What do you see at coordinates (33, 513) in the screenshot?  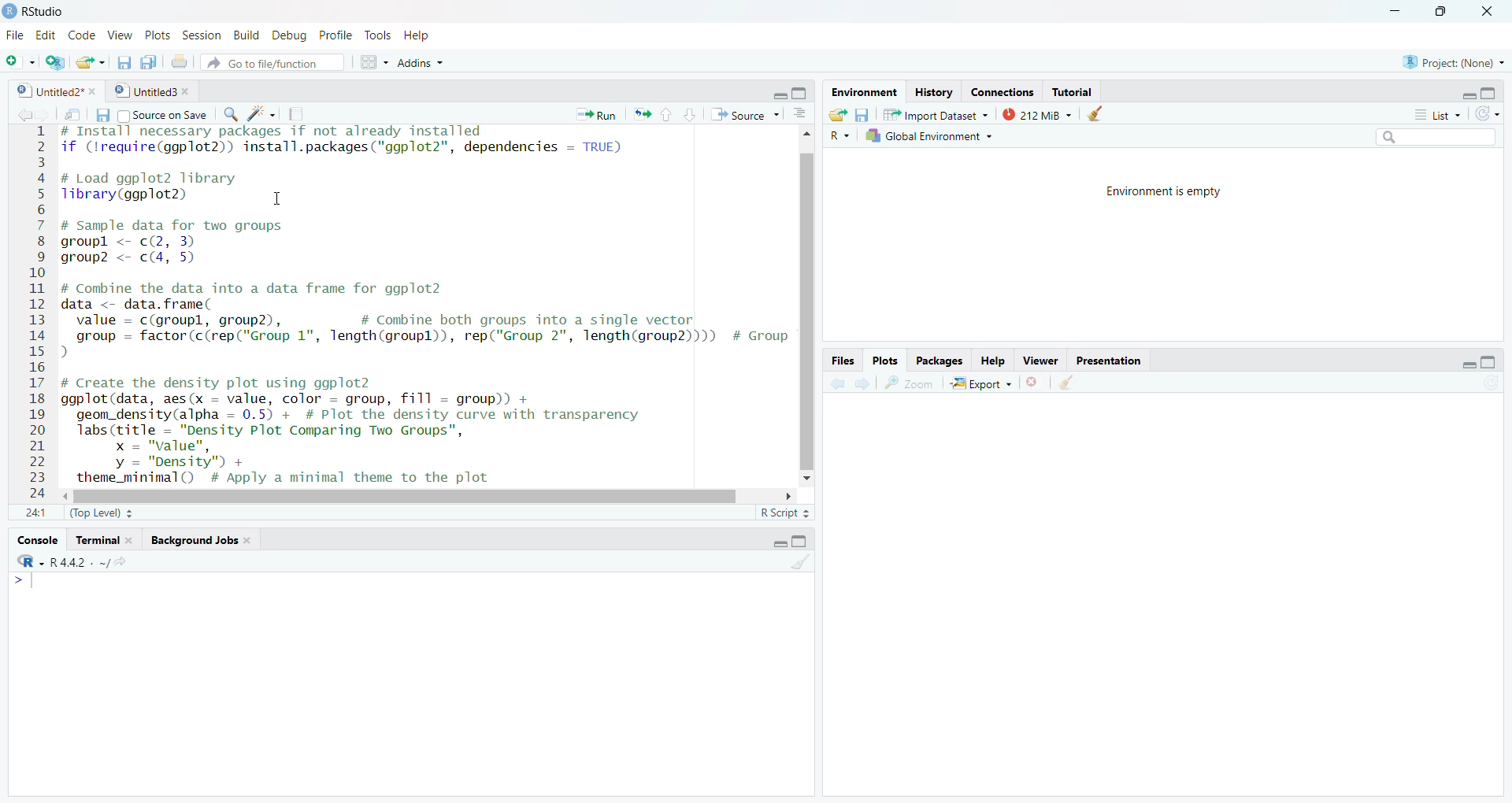 I see `1 1` at bounding box center [33, 513].